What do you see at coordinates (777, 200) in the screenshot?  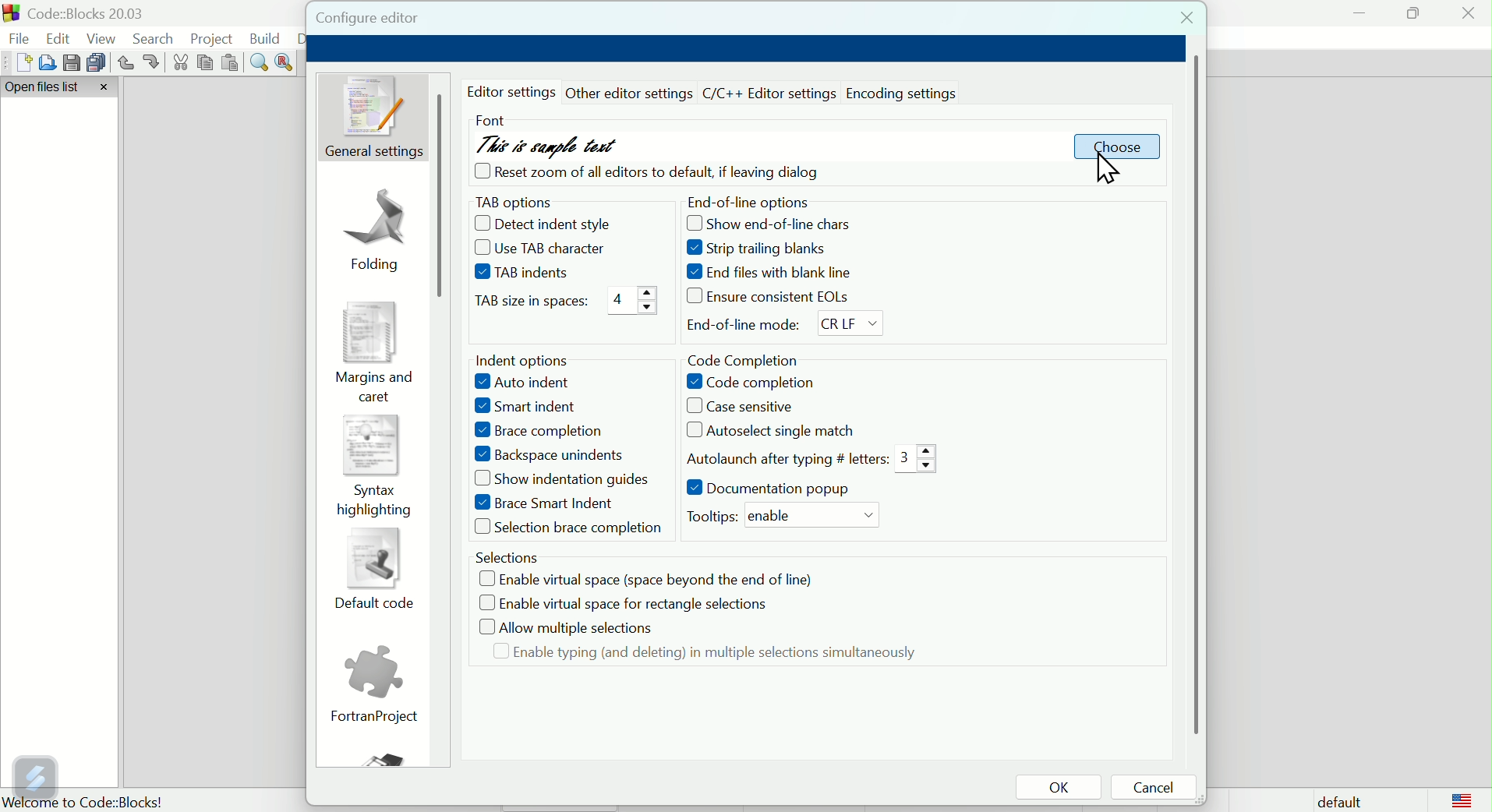 I see `End of line options` at bounding box center [777, 200].